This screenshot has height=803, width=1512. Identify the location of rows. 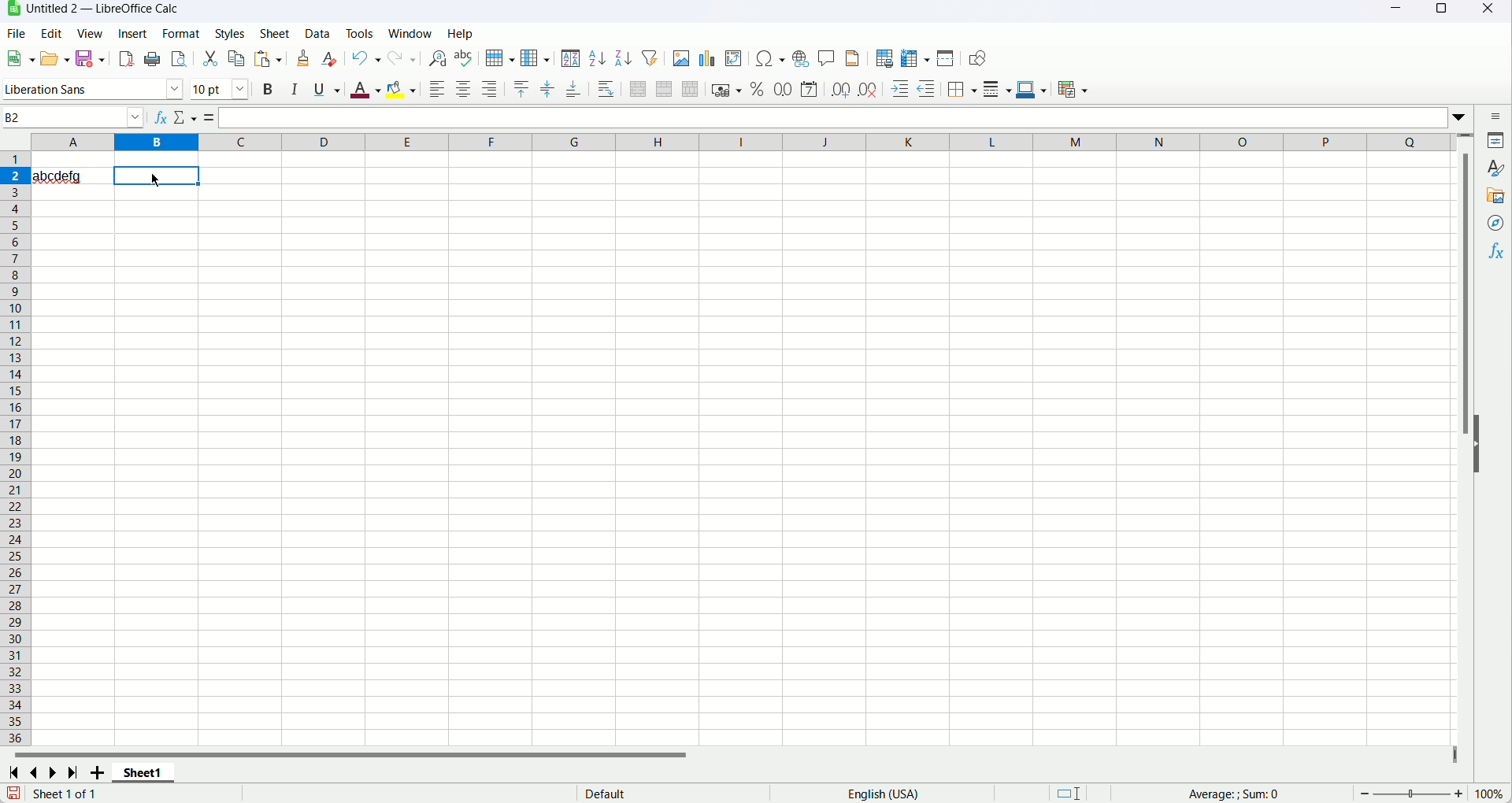
(15, 448).